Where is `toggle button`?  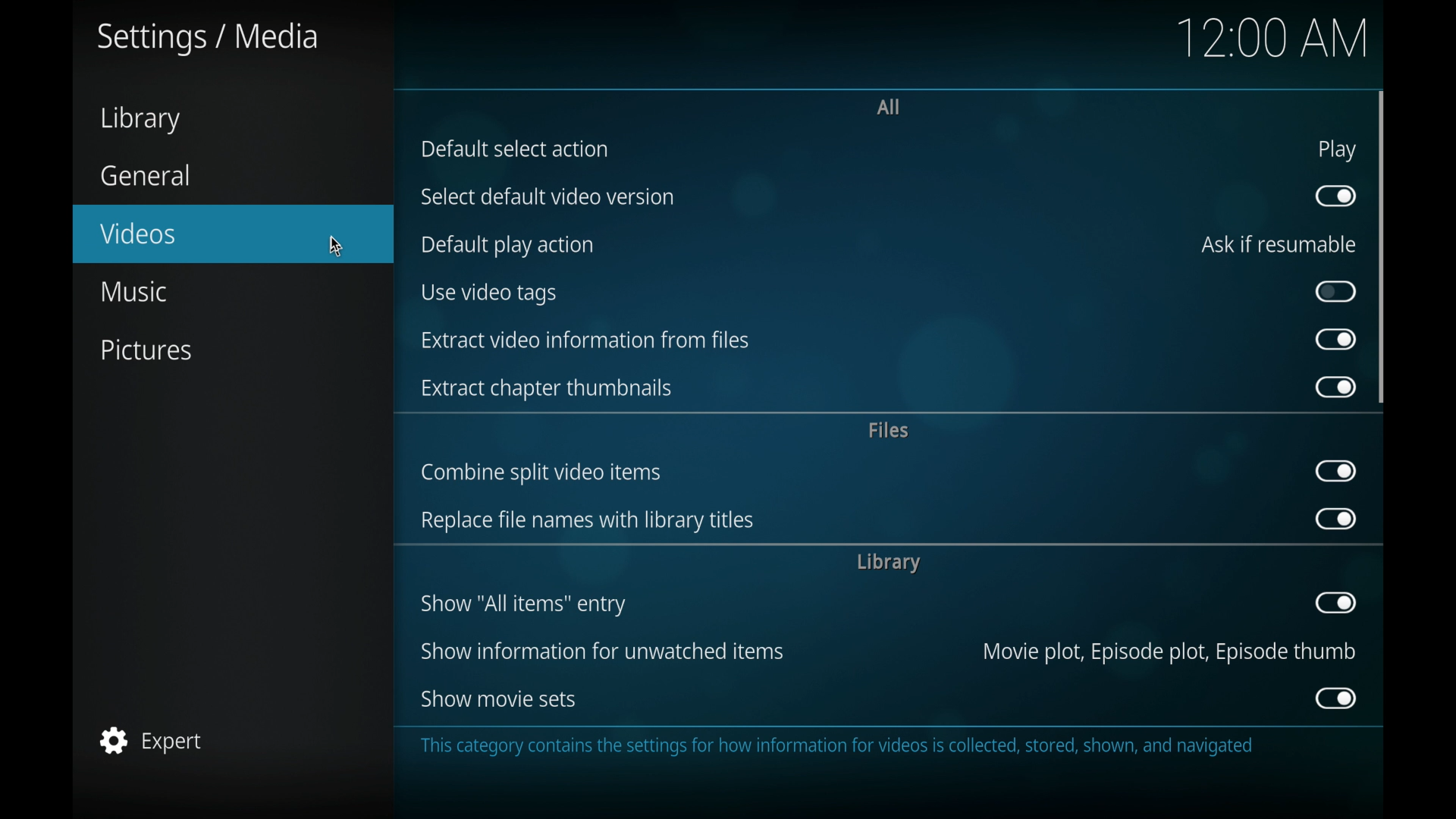
toggle button is located at coordinates (1337, 291).